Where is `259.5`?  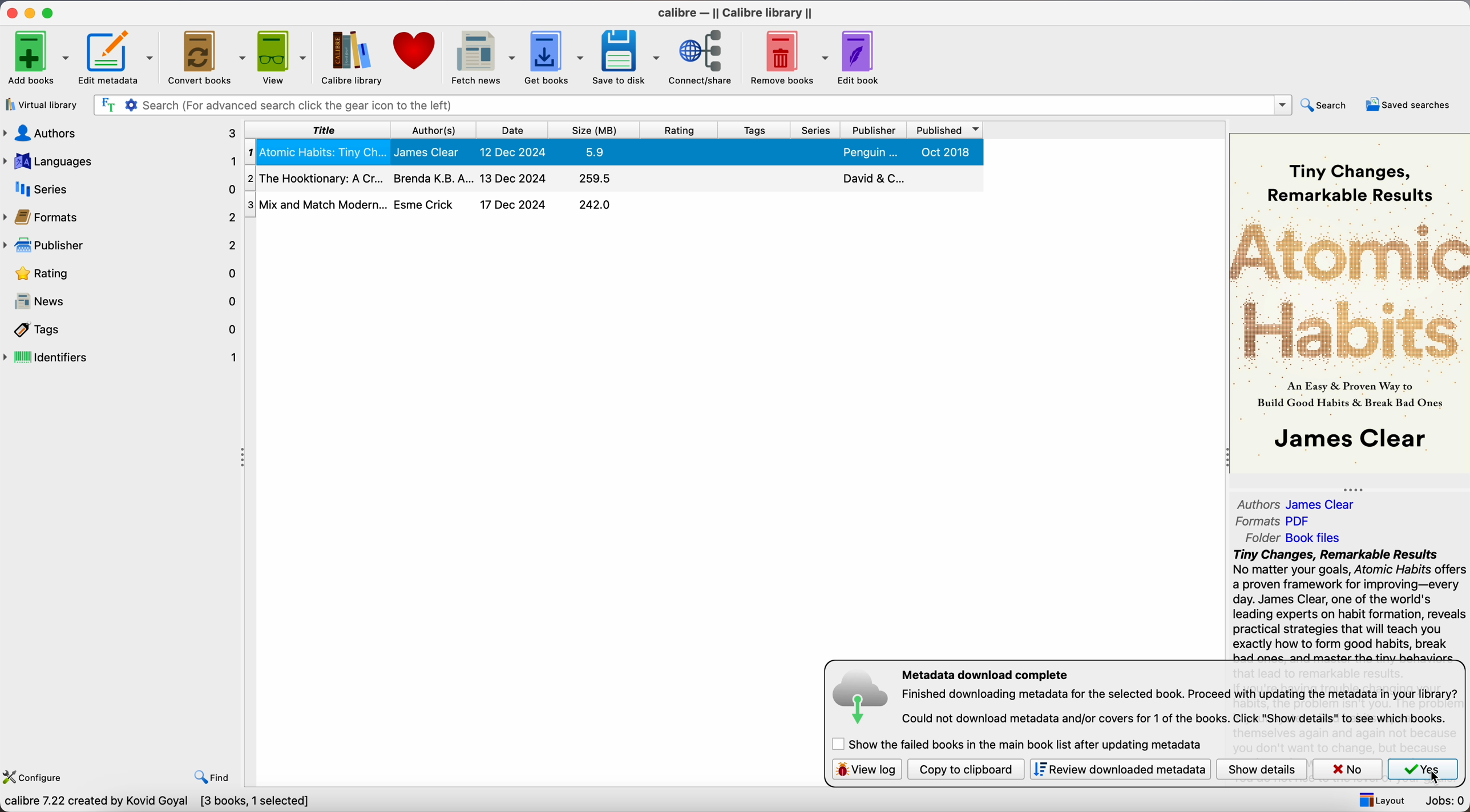
259.5 is located at coordinates (597, 179).